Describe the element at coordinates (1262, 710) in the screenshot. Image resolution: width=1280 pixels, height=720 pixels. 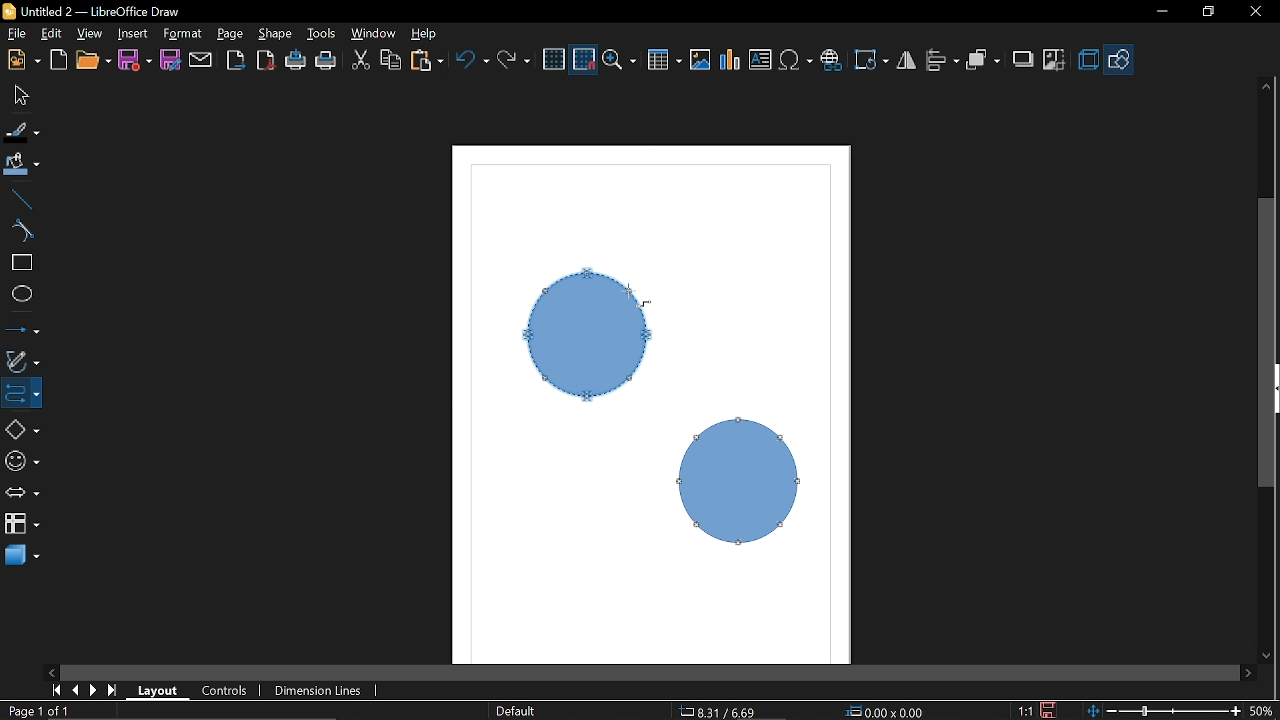
I see `Current zoom` at that location.